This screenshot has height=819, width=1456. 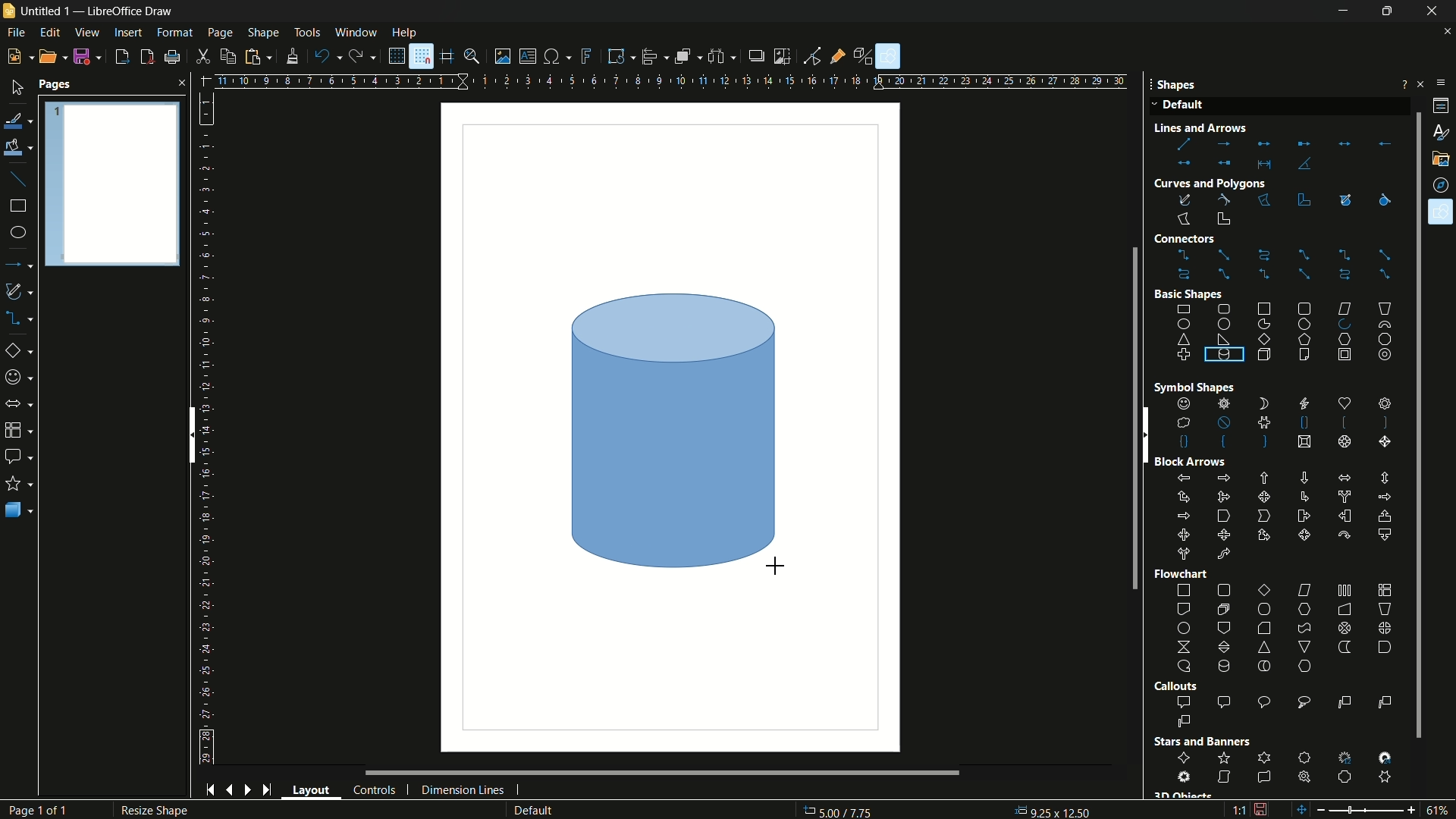 What do you see at coordinates (178, 83) in the screenshot?
I see `close` at bounding box center [178, 83].